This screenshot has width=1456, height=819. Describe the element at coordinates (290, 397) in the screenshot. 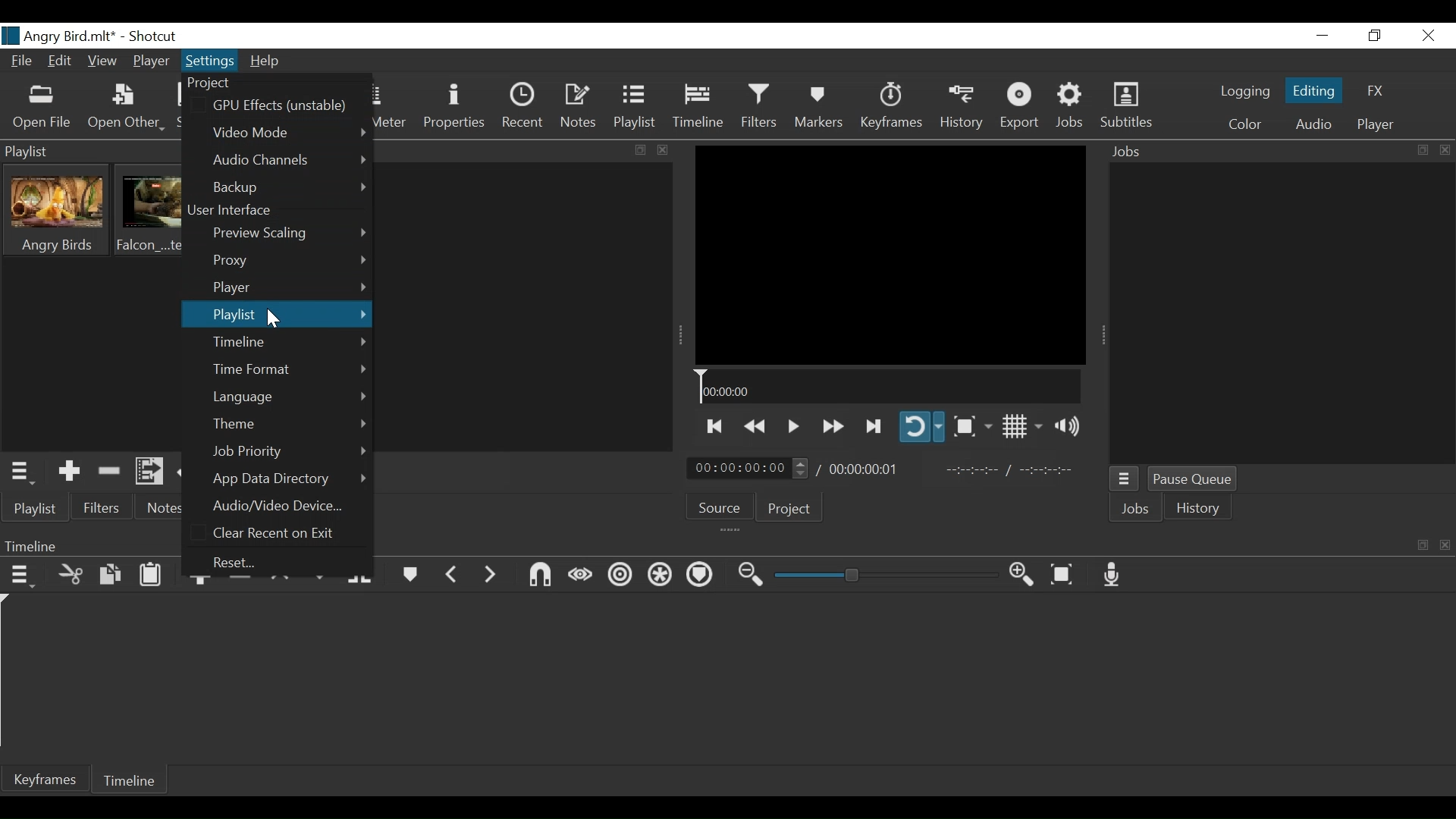

I see `Language` at that location.